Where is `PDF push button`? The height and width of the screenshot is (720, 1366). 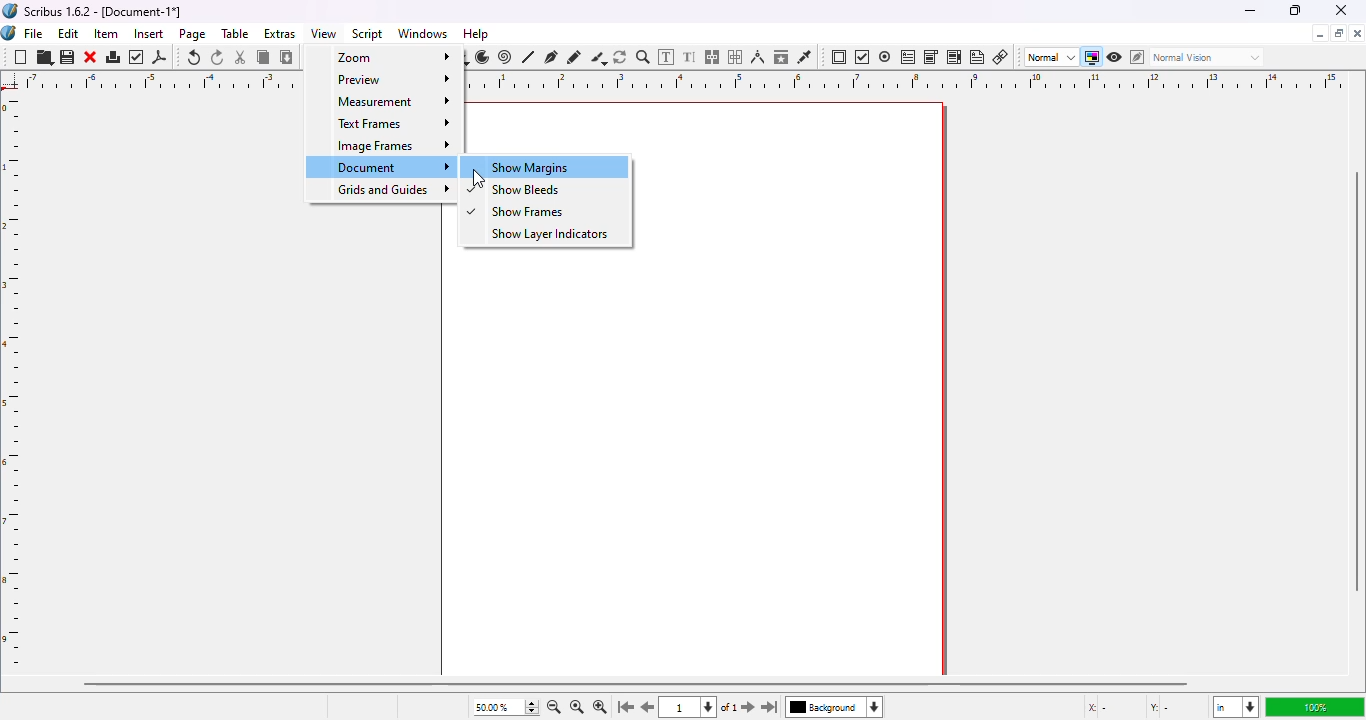 PDF push button is located at coordinates (839, 57).